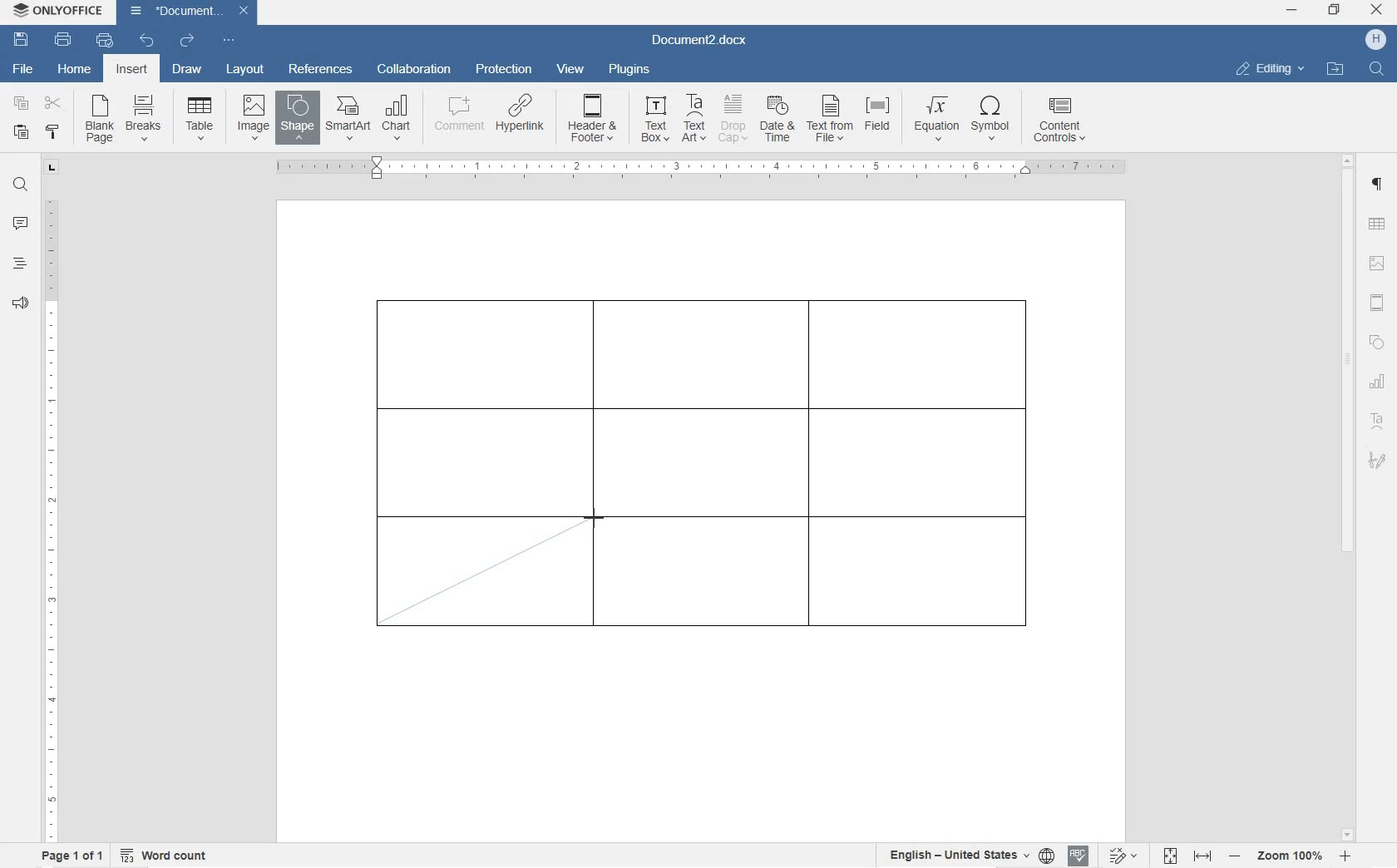 This screenshot has width=1397, height=868. What do you see at coordinates (630, 72) in the screenshot?
I see `plugins` at bounding box center [630, 72].